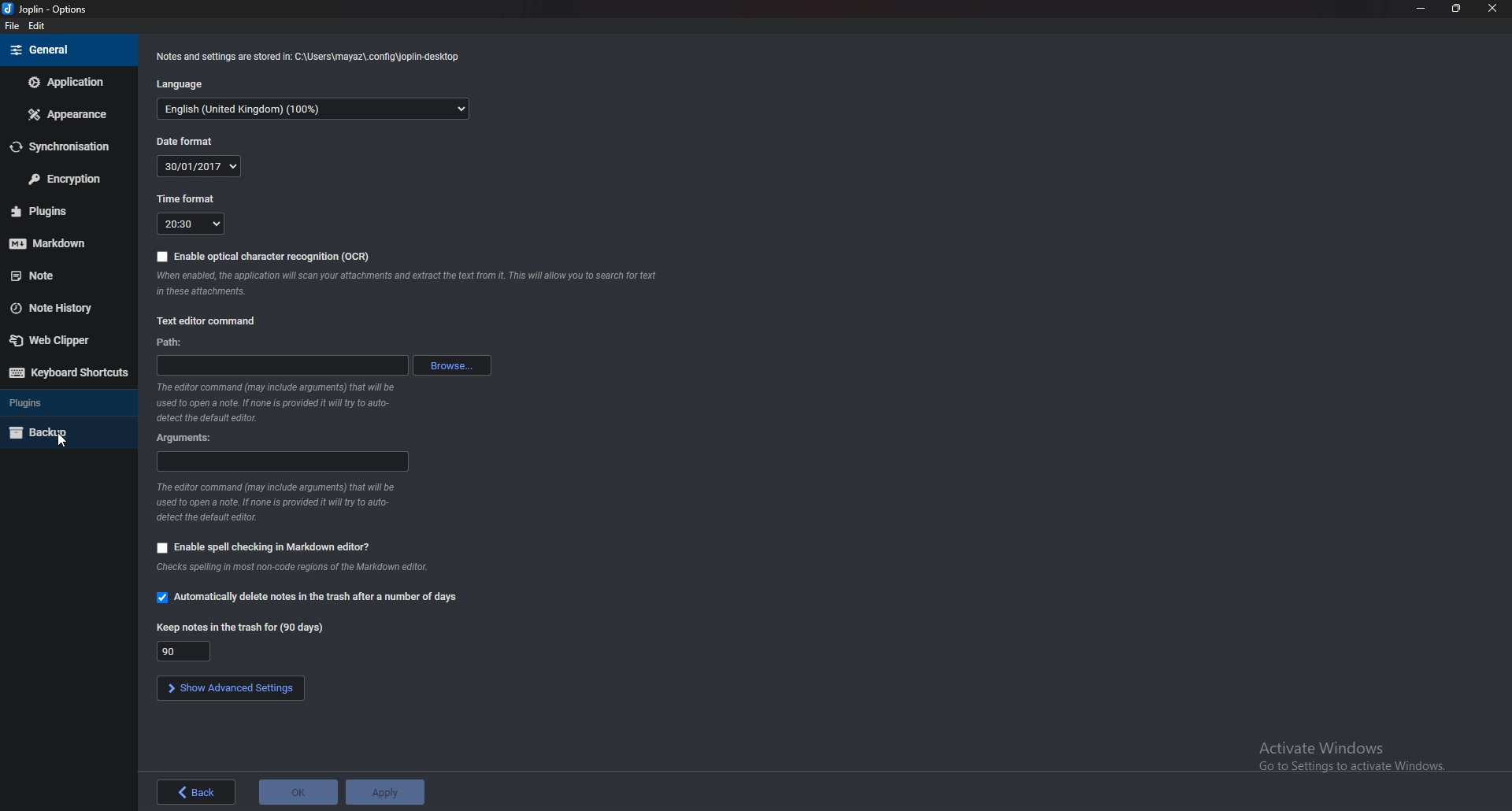 This screenshot has height=811, width=1512. Describe the element at coordinates (191, 223) in the screenshot. I see `20:30` at that location.